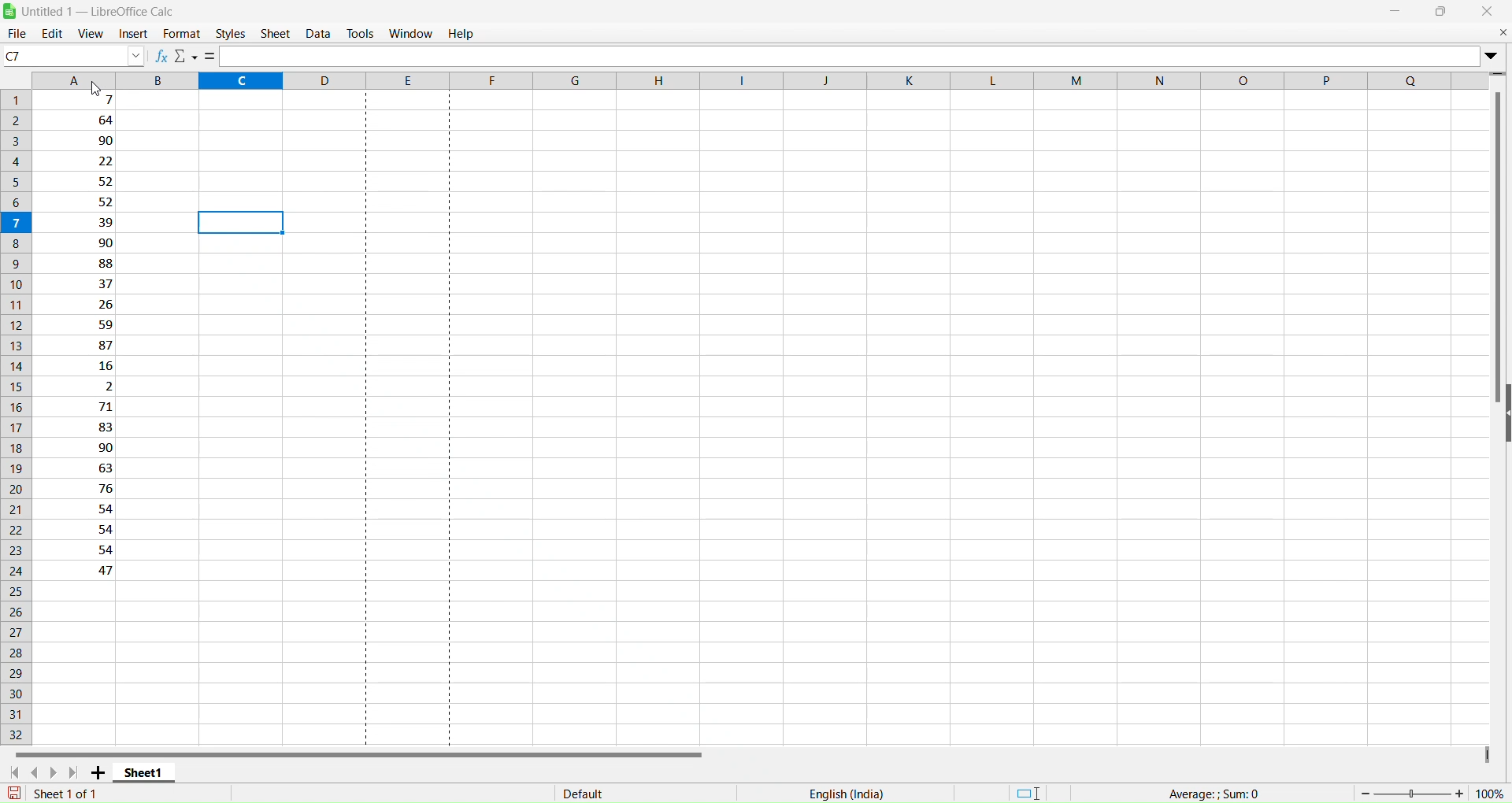 This screenshot has height=803, width=1512. Describe the element at coordinates (39, 771) in the screenshot. I see `Previous` at that location.